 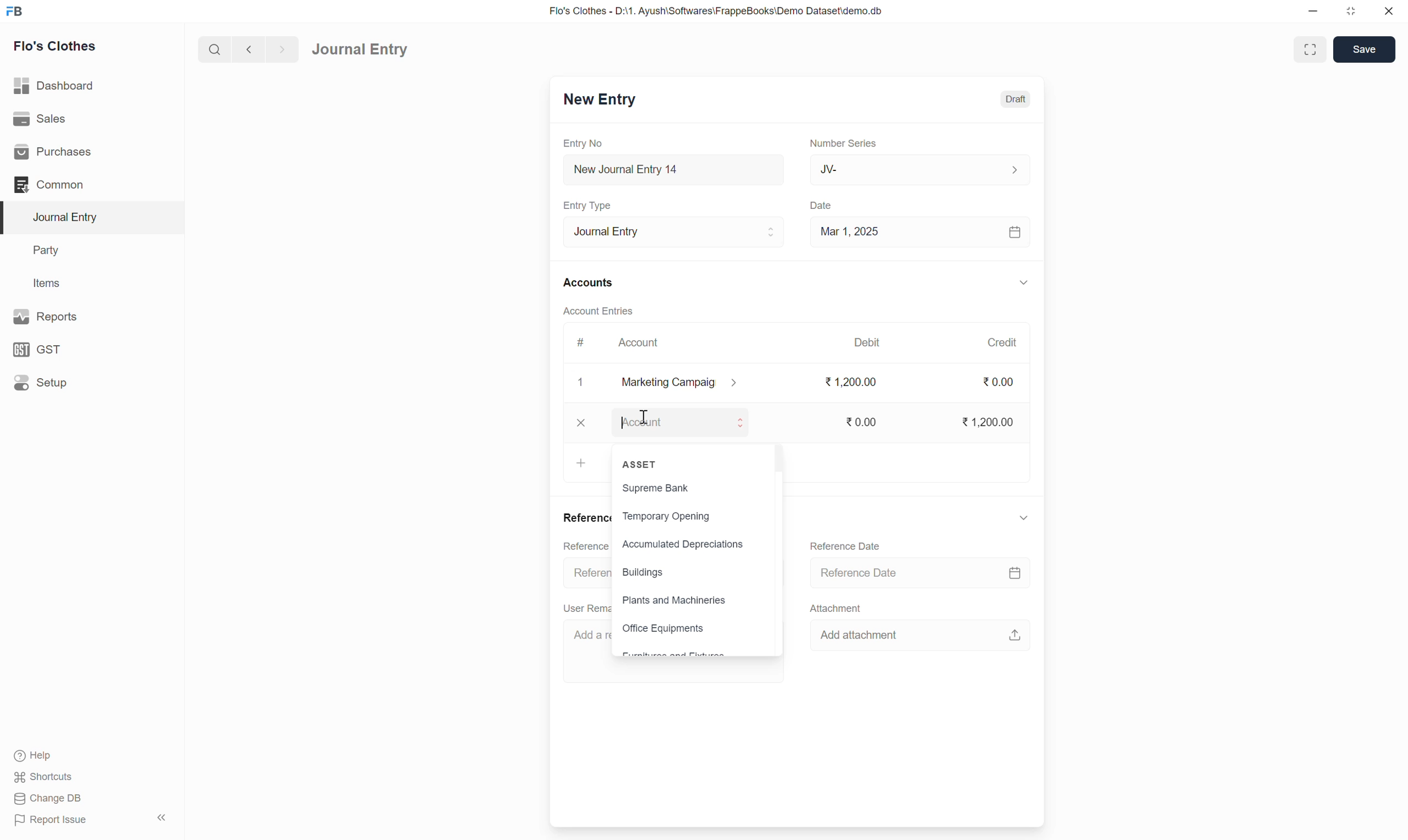 What do you see at coordinates (580, 422) in the screenshot?
I see `close` at bounding box center [580, 422].